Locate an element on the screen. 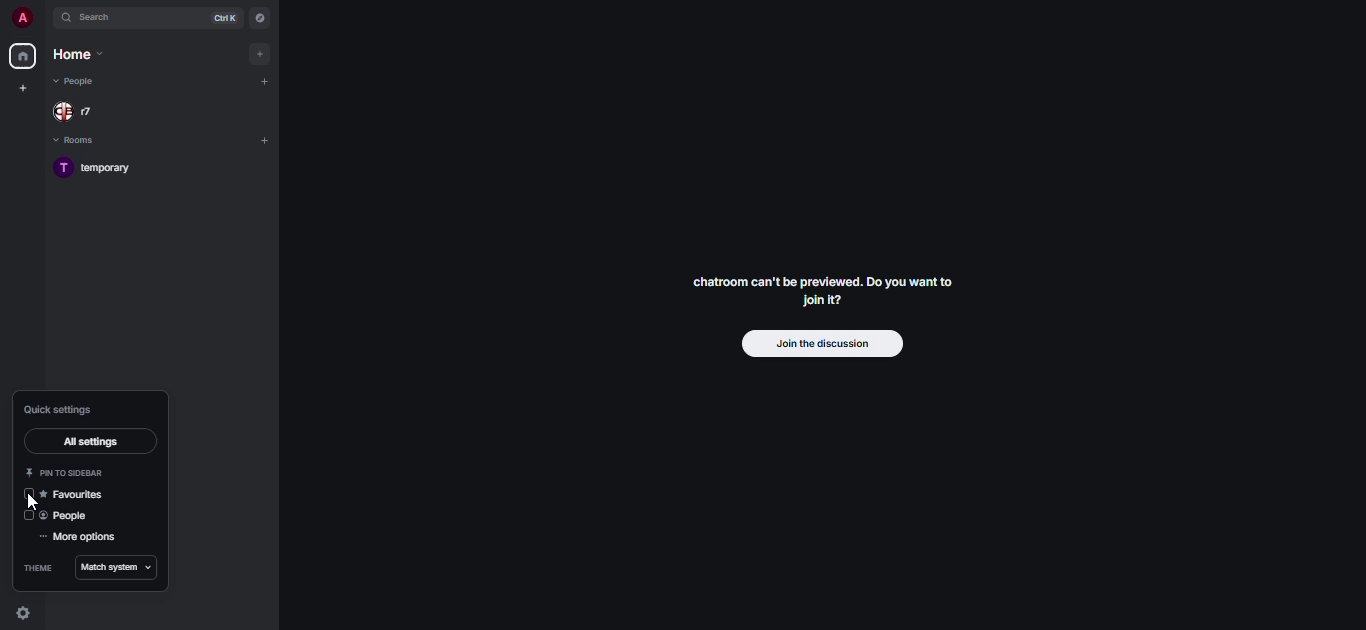 The height and width of the screenshot is (630, 1366). home is located at coordinates (75, 55).